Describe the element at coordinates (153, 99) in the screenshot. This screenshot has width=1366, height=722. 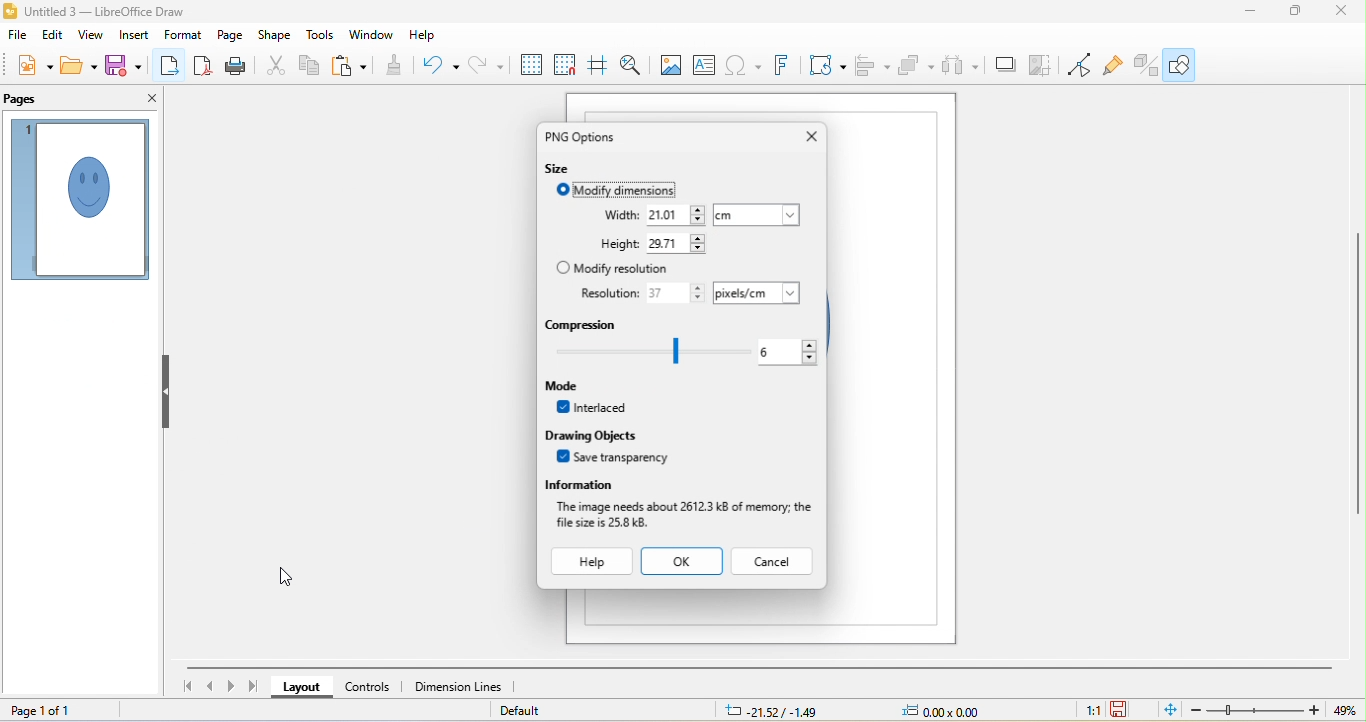
I see `close` at that location.